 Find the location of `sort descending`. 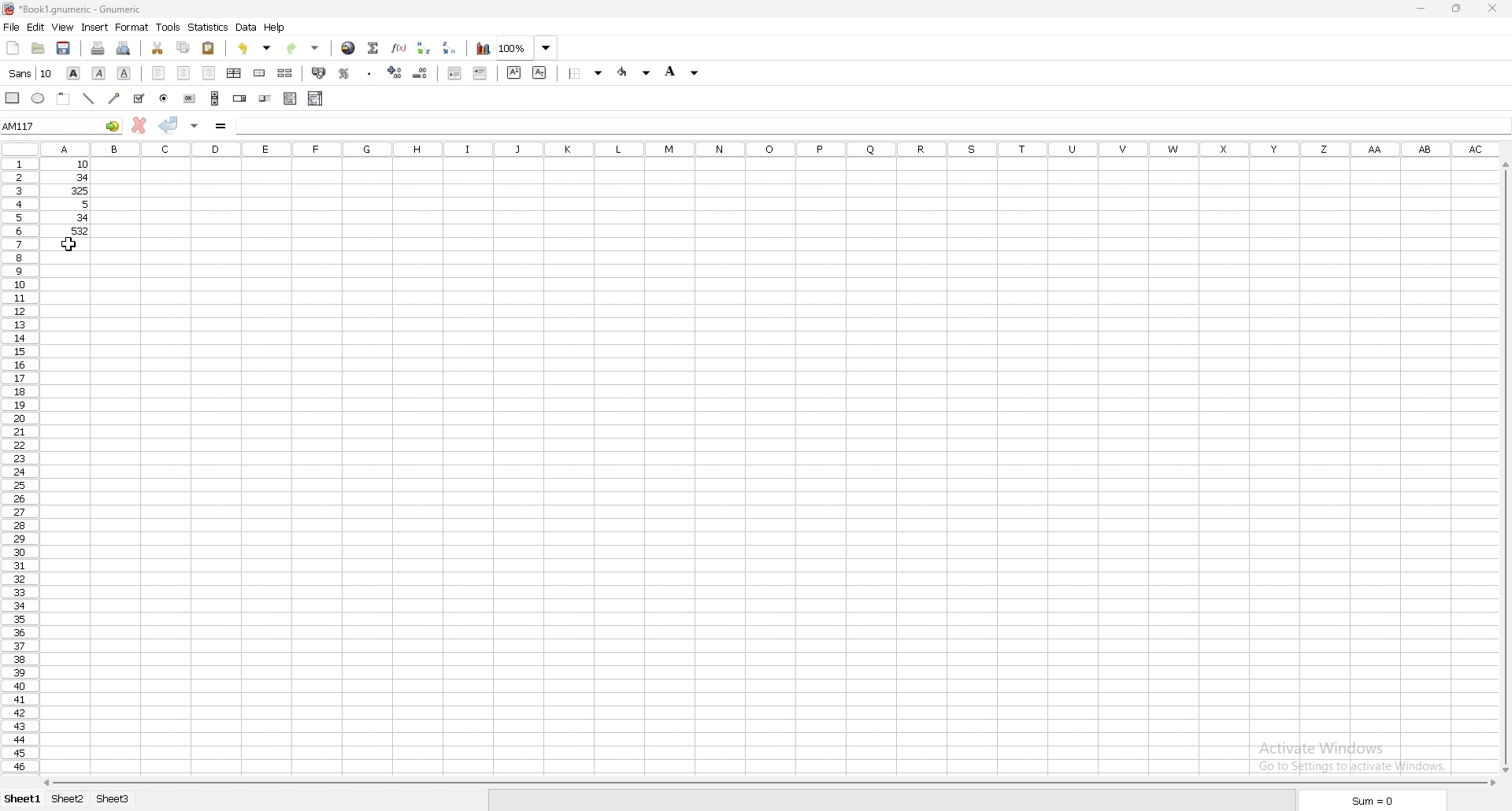

sort descending is located at coordinates (449, 47).